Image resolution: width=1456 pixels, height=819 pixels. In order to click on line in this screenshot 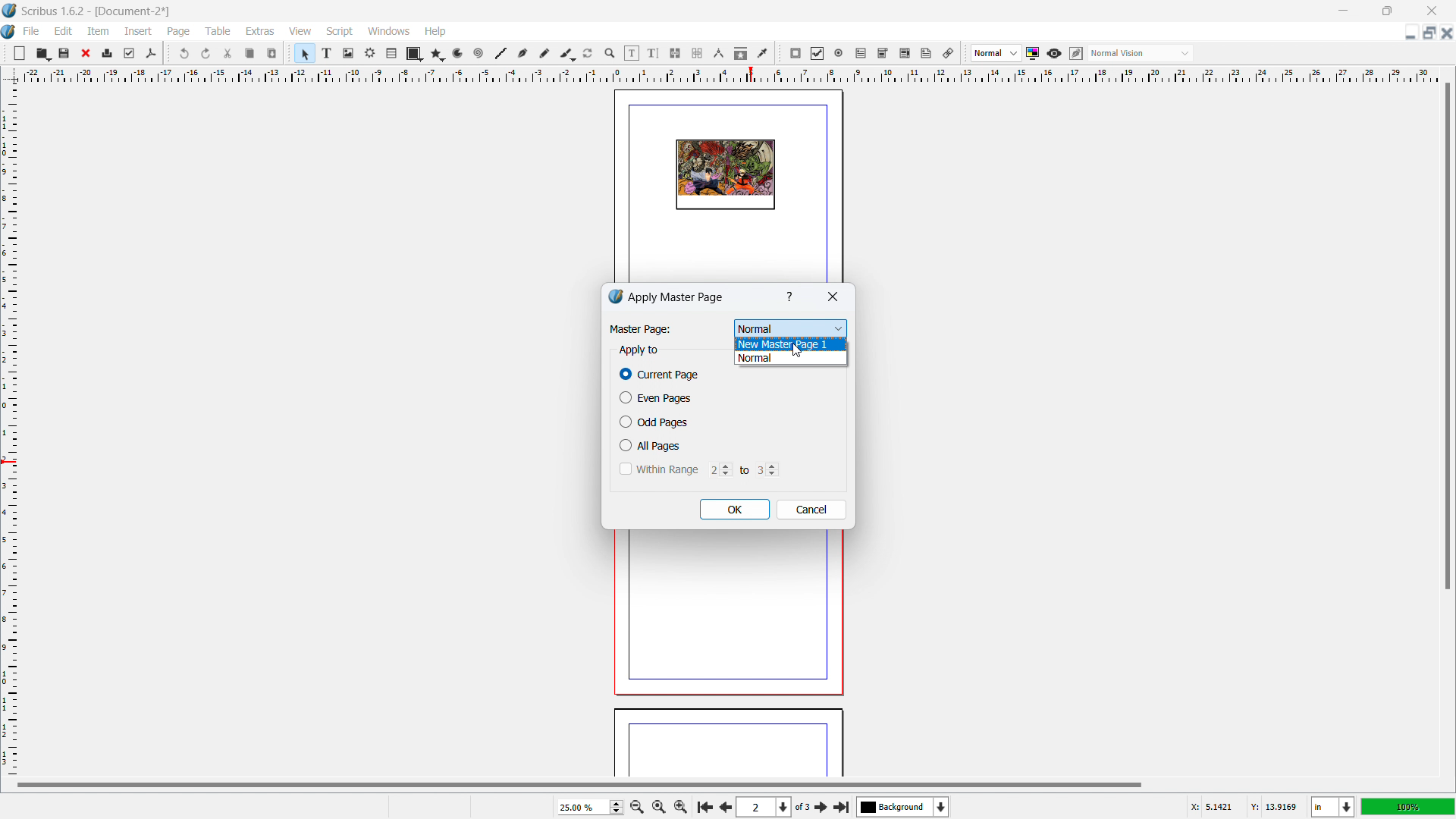, I will do `click(500, 54)`.